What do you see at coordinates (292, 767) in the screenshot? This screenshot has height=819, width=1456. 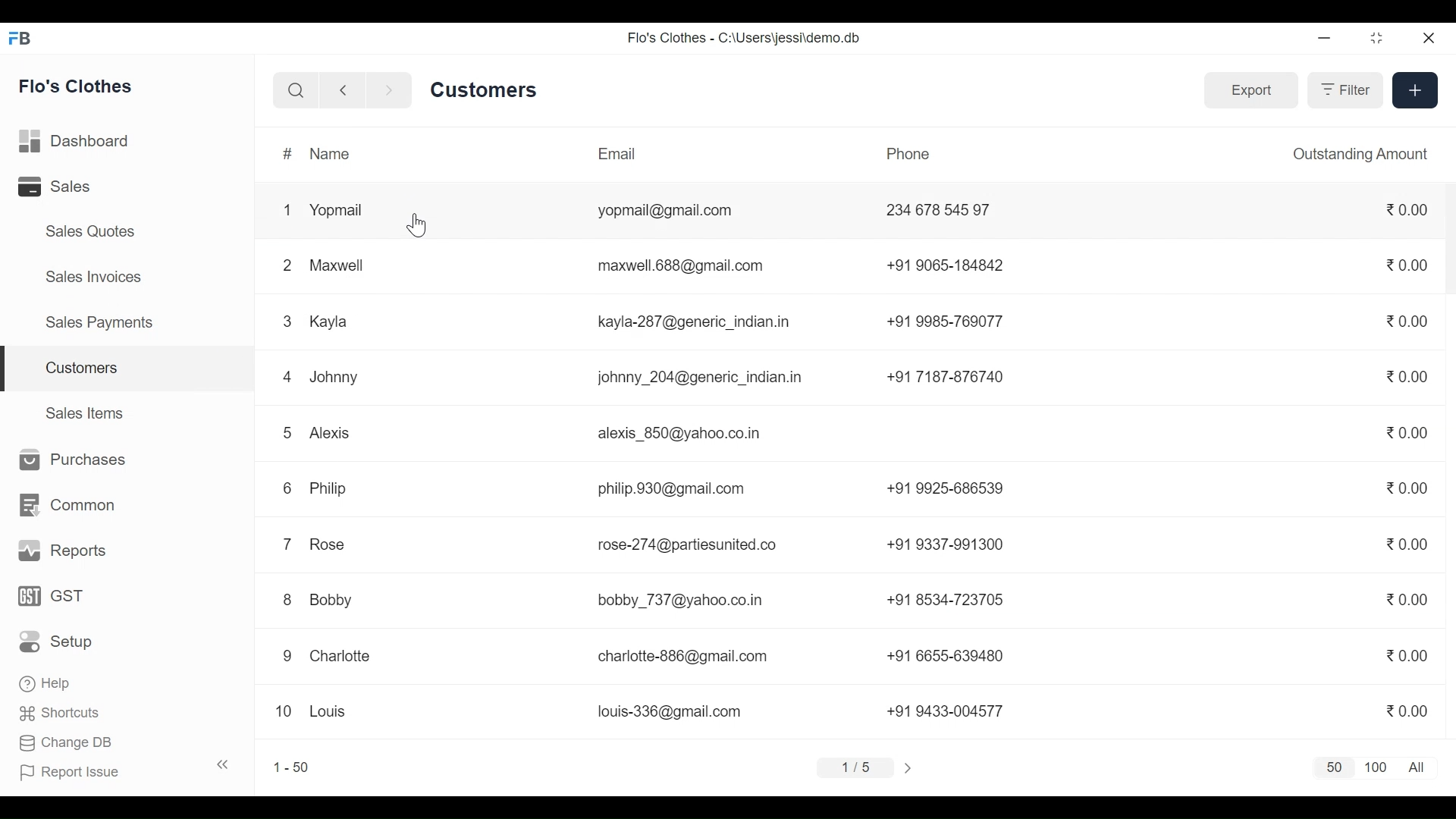 I see `1-50` at bounding box center [292, 767].